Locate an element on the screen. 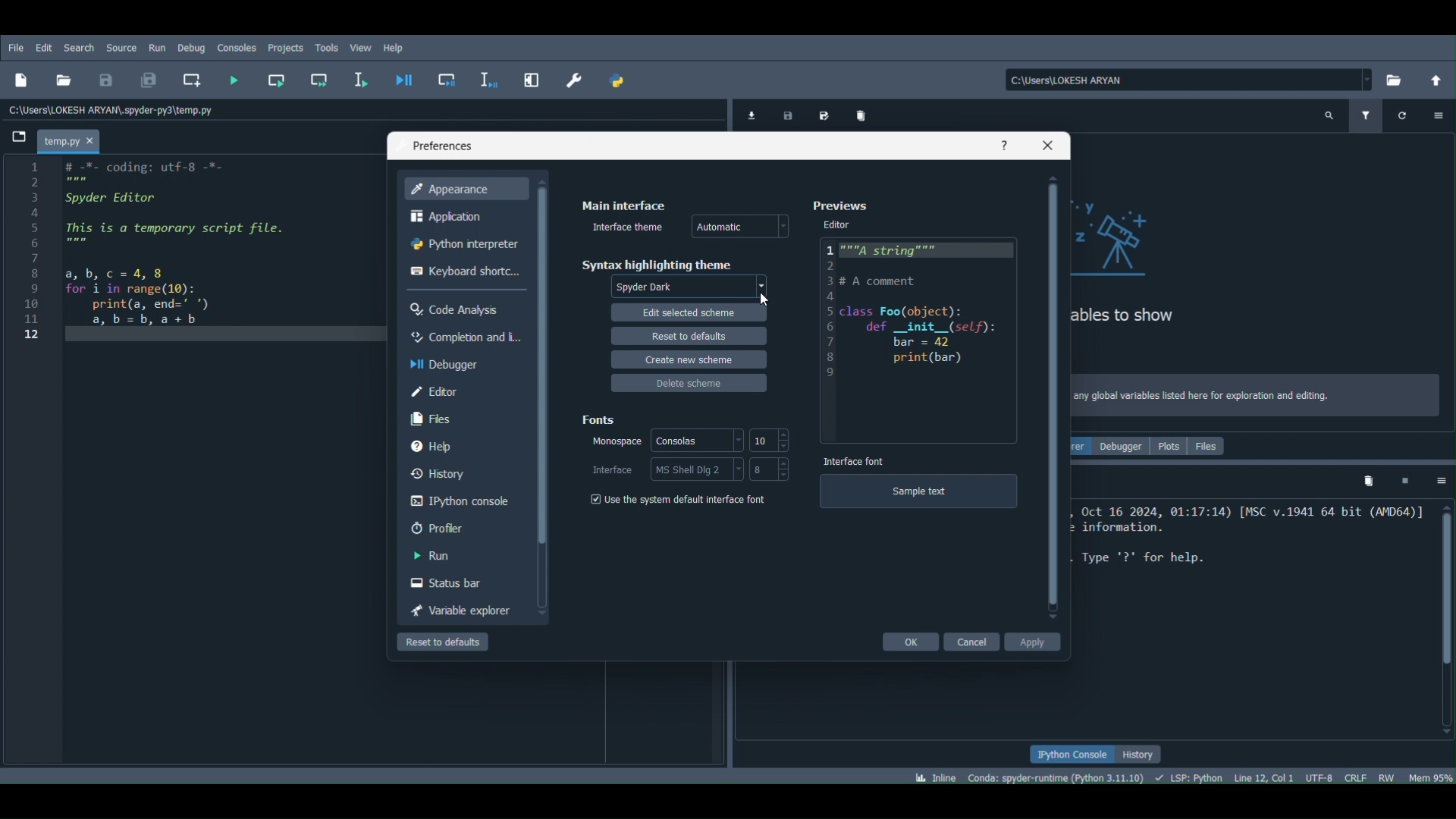 Image resolution: width=1456 pixels, height=819 pixels. Filter variables is located at coordinates (1371, 117).